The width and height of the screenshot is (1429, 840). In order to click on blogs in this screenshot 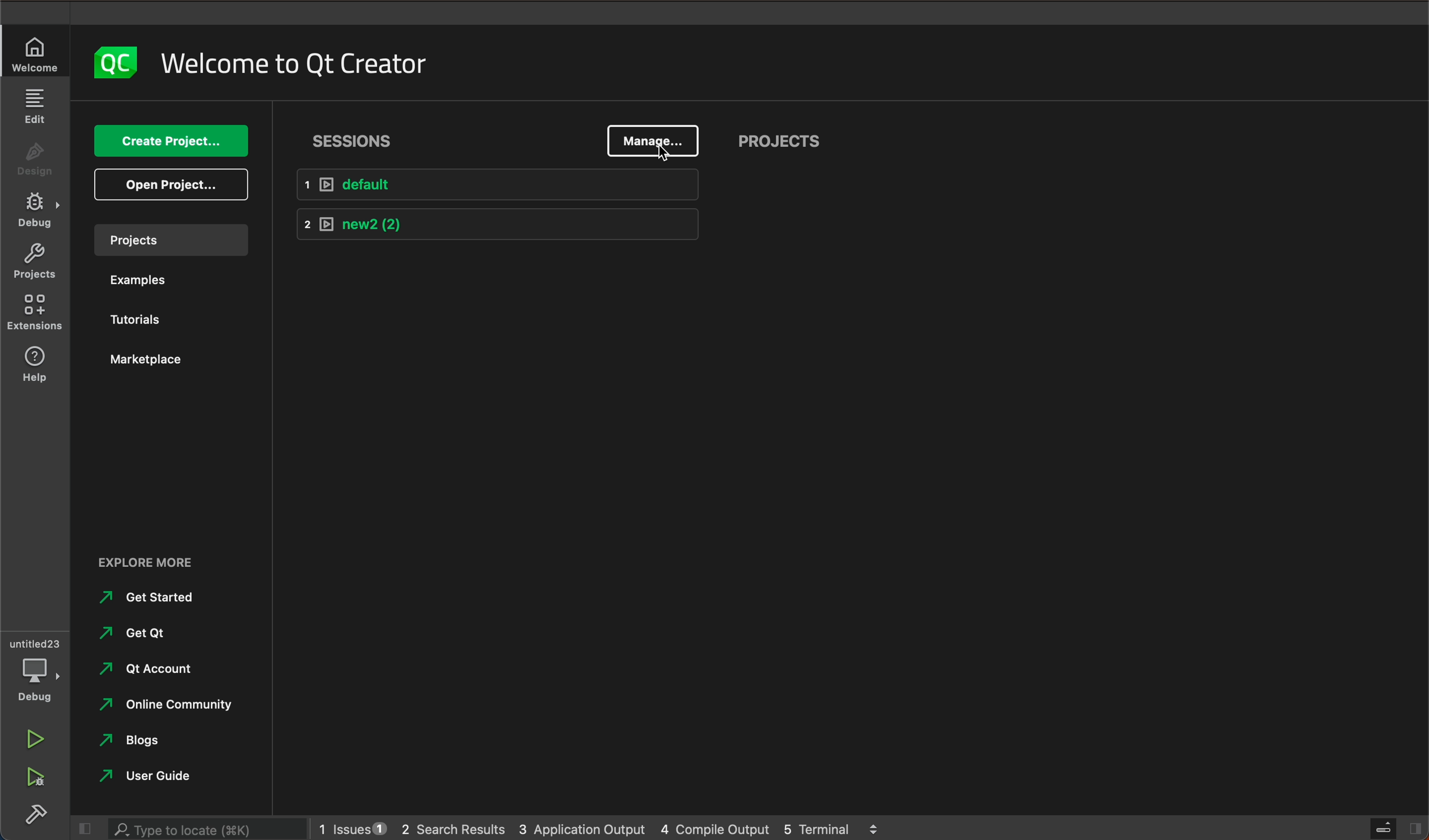, I will do `click(133, 740)`.